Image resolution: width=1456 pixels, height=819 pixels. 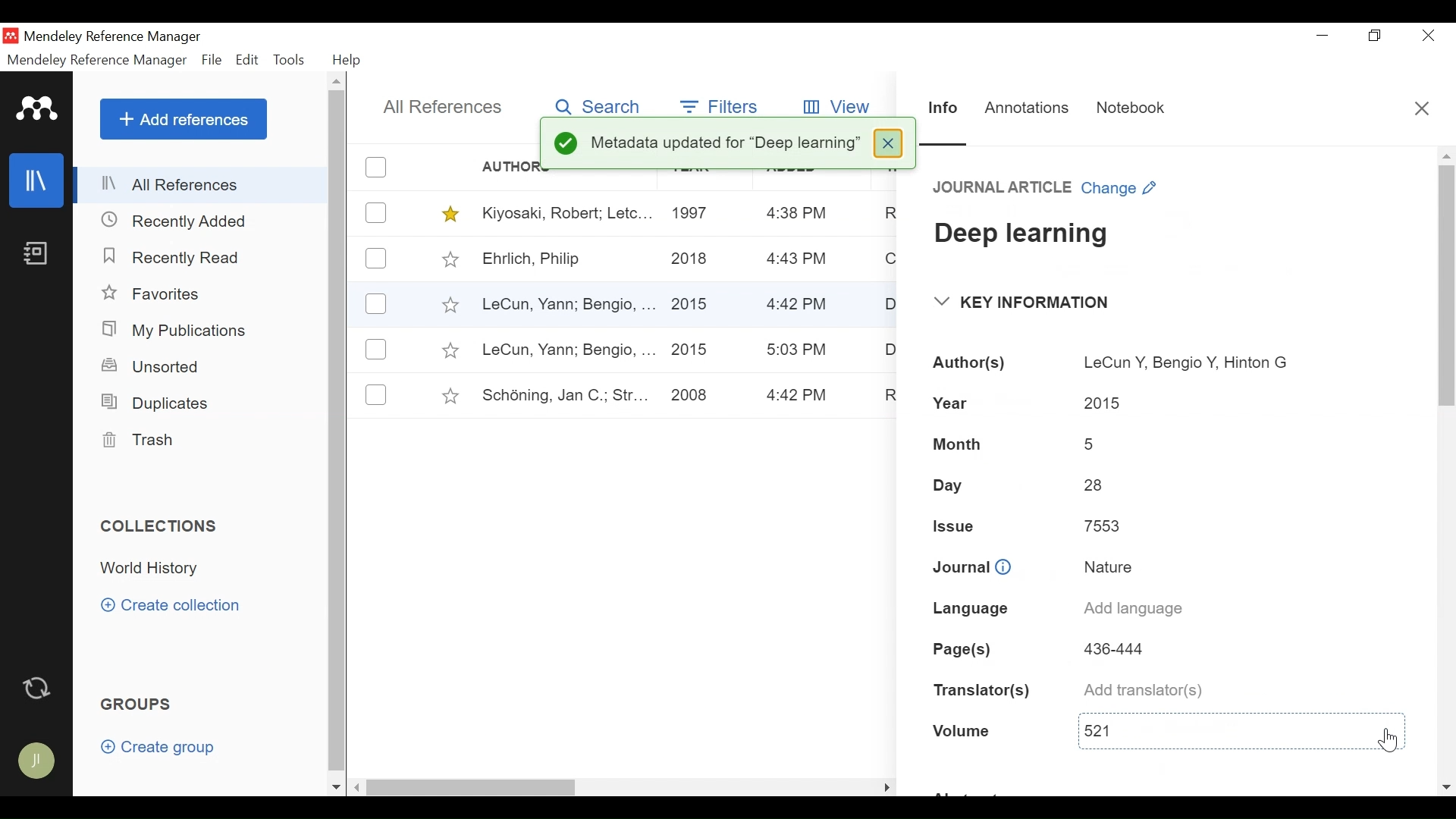 I want to click on (un)select, so click(x=376, y=394).